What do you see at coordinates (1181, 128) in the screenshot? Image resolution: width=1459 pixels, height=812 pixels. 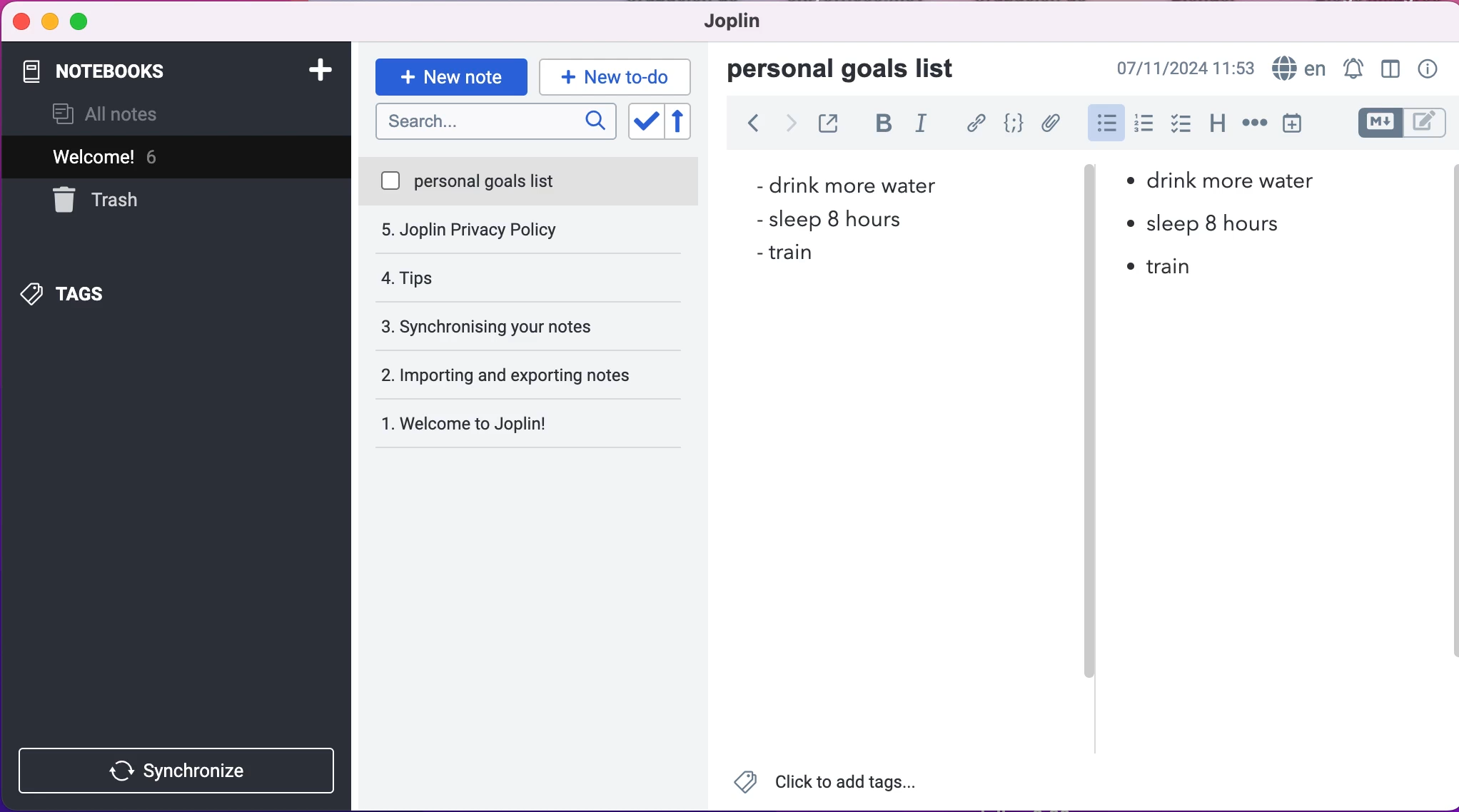 I see `check box` at bounding box center [1181, 128].